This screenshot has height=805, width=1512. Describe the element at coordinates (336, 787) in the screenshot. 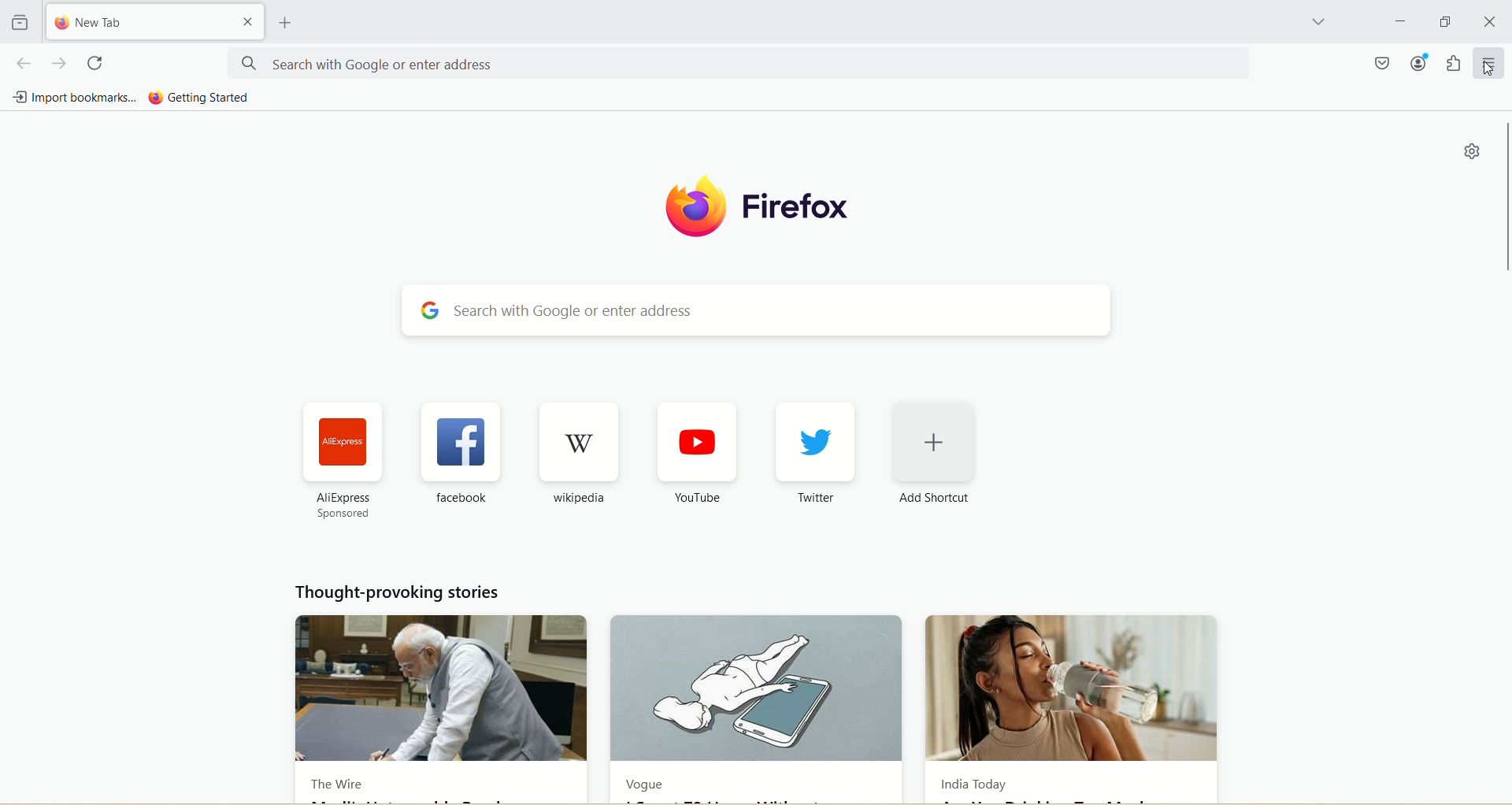

I see `The Wire` at that location.